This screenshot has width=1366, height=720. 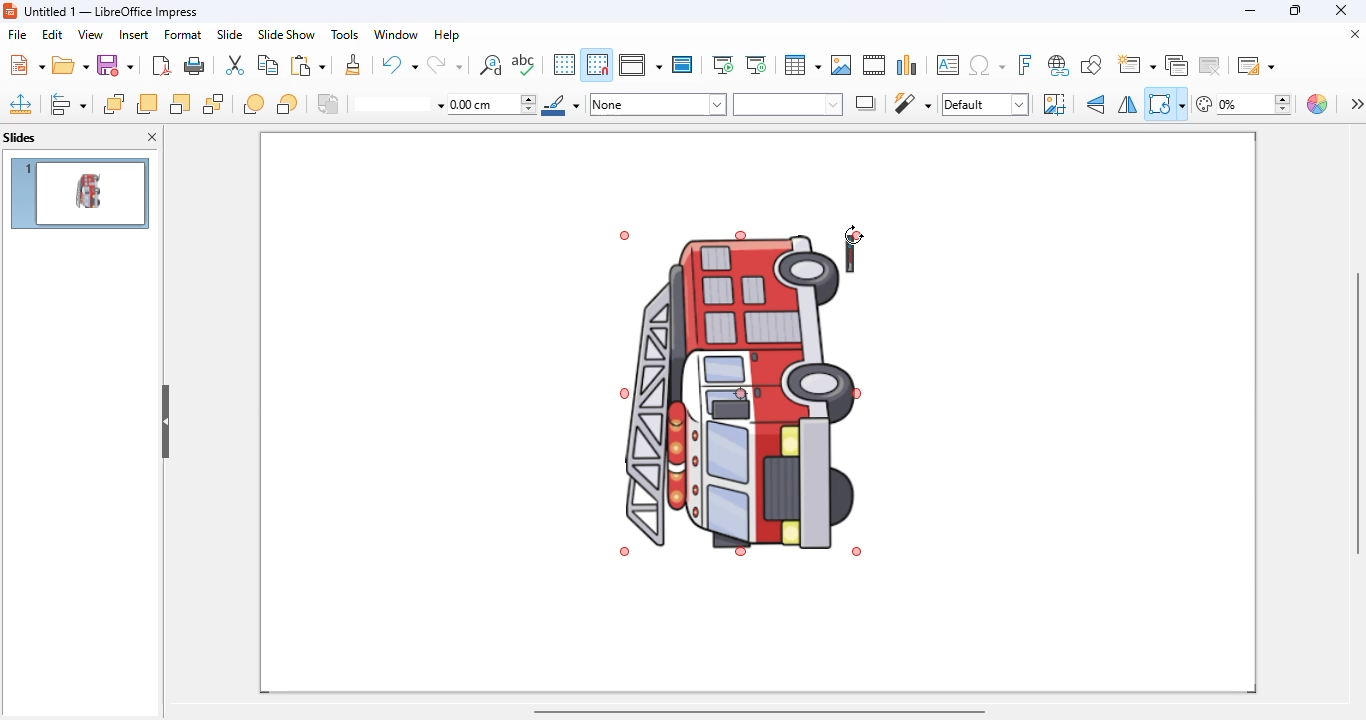 What do you see at coordinates (1127, 105) in the screenshot?
I see `horizontally` at bounding box center [1127, 105].